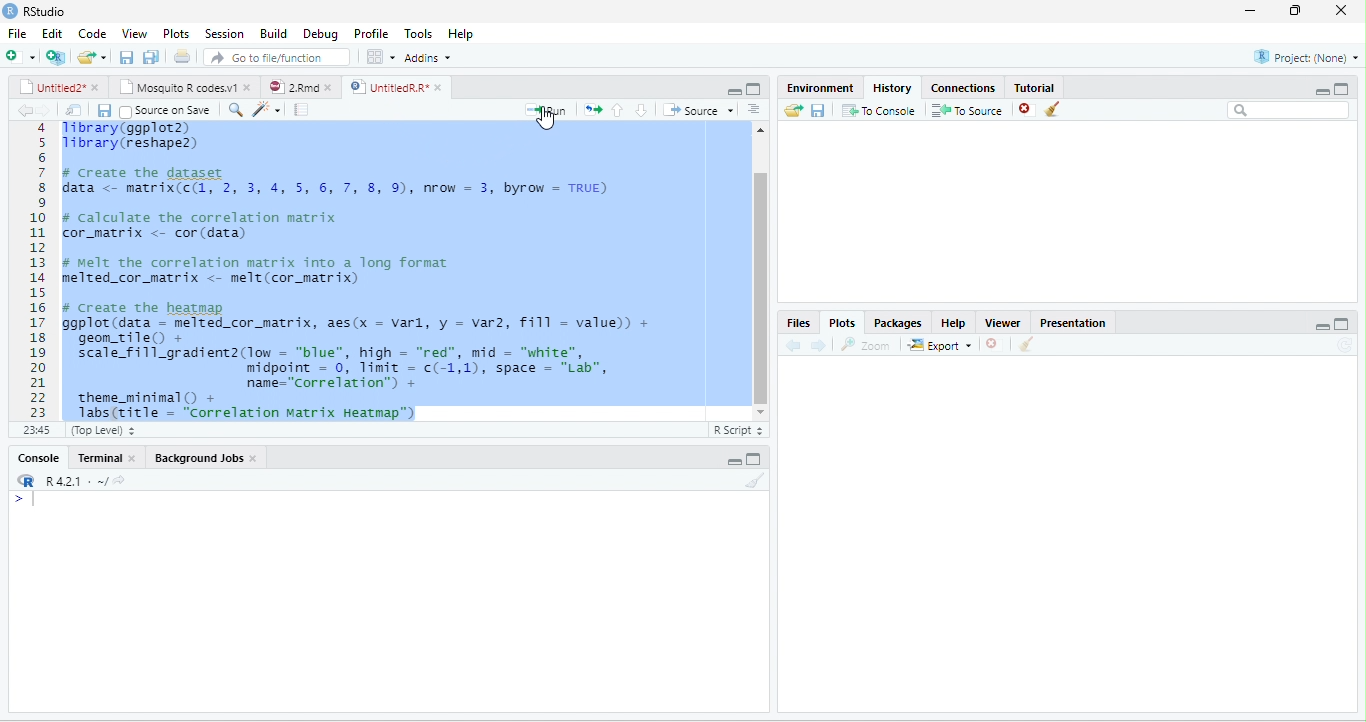 The image size is (1366, 722). Describe the element at coordinates (1295, 58) in the screenshot. I see `project none` at that location.